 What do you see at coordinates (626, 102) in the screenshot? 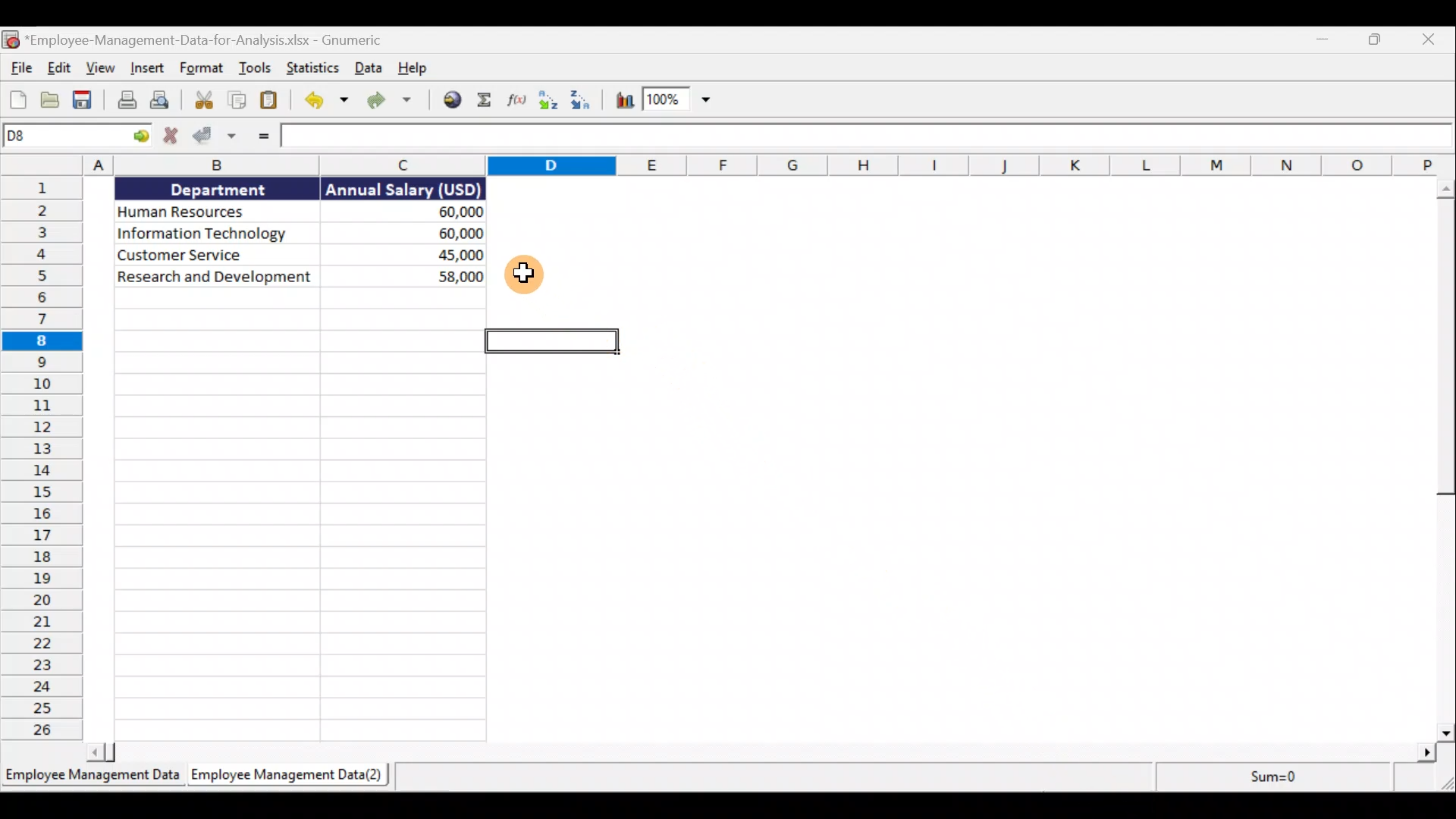
I see `Insert chart` at bounding box center [626, 102].